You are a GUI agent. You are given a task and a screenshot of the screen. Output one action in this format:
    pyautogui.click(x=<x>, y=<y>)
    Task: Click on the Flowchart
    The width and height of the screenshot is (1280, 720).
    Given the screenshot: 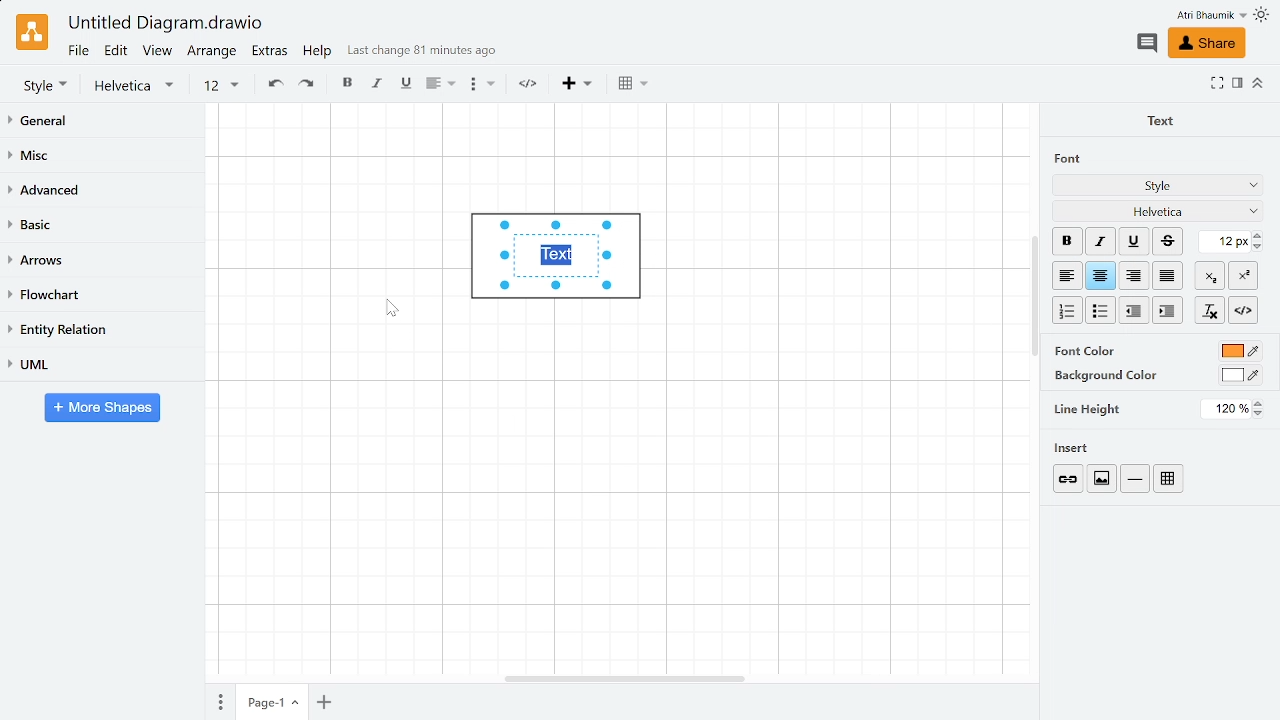 What is the action you would take?
    pyautogui.click(x=98, y=296)
    